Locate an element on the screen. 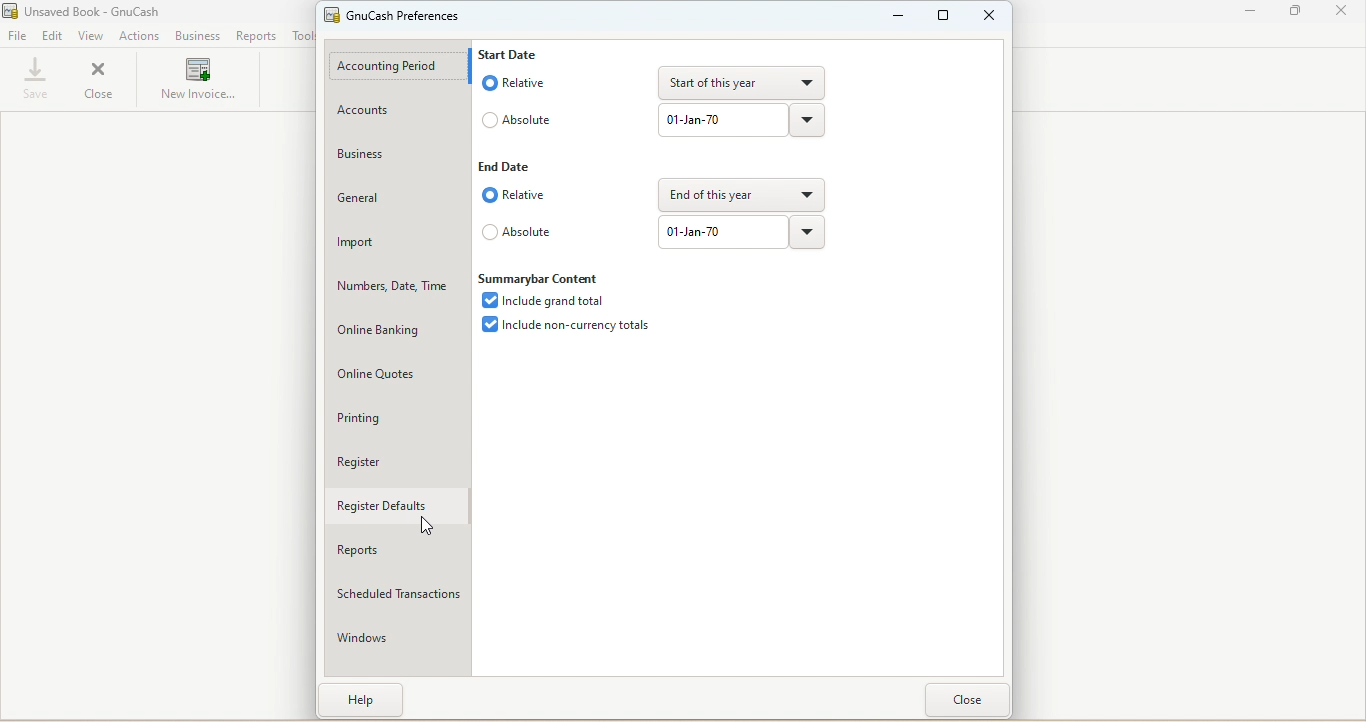 The width and height of the screenshot is (1366, 722). Close is located at coordinates (1342, 14).